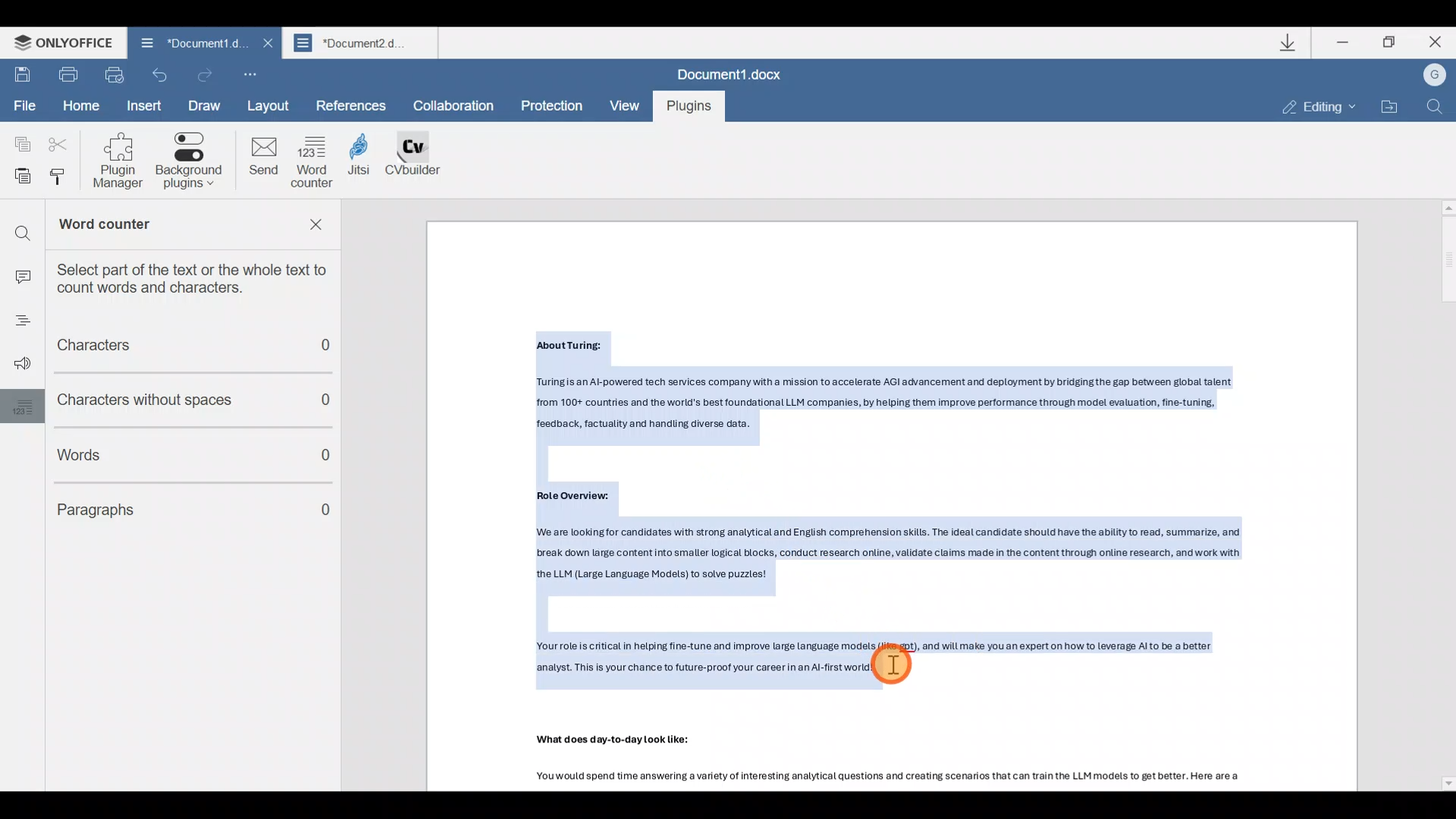  What do you see at coordinates (918, 762) in the screenshot?
I see `What does day-to-day Look like:
Youwould spend time answering a variety of interesting analytical questions and creating scenarios that can train the LLM models to get better. Here are a` at bounding box center [918, 762].